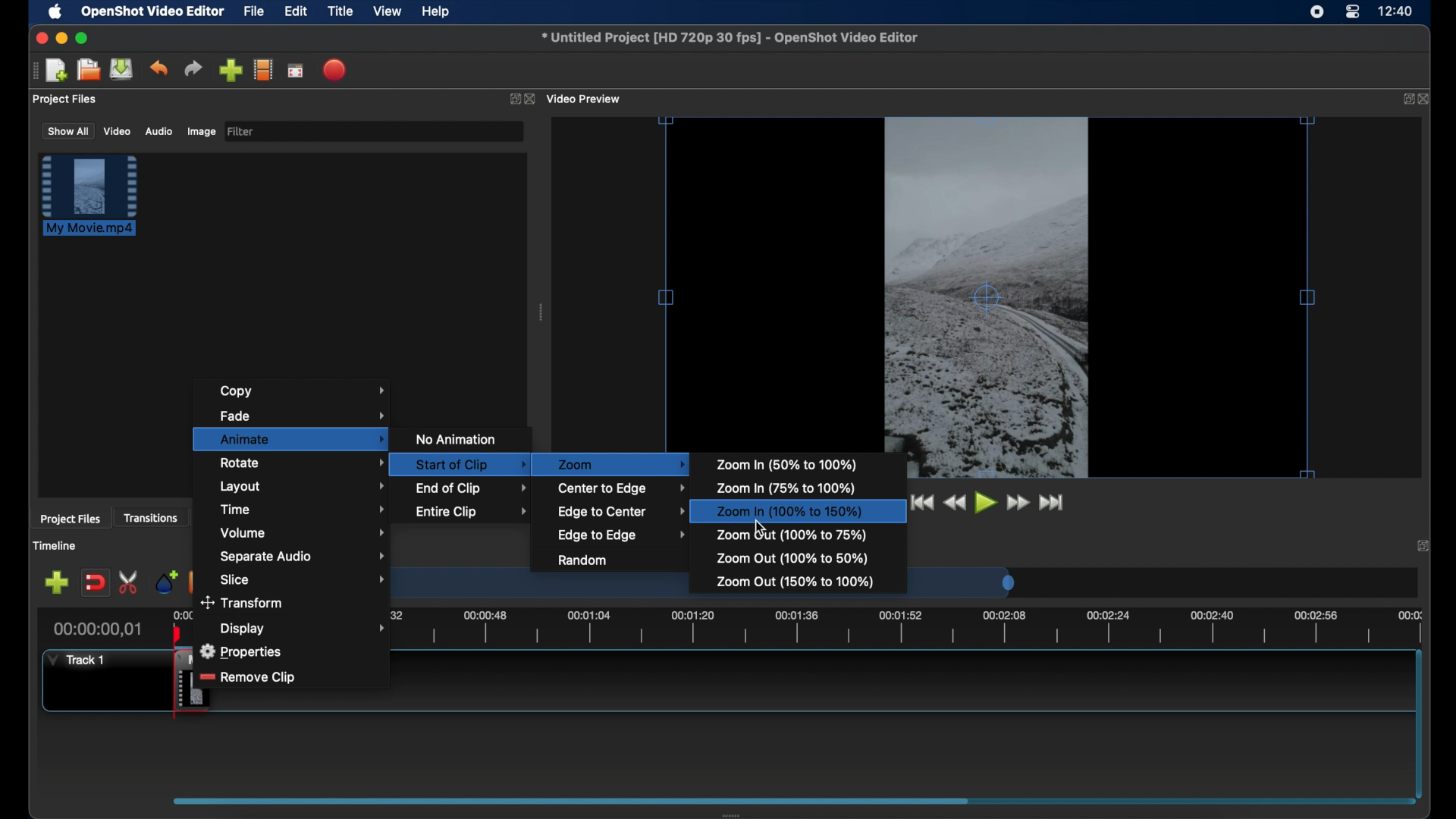 This screenshot has width=1456, height=819. Describe the element at coordinates (730, 37) in the screenshot. I see `file name` at that location.